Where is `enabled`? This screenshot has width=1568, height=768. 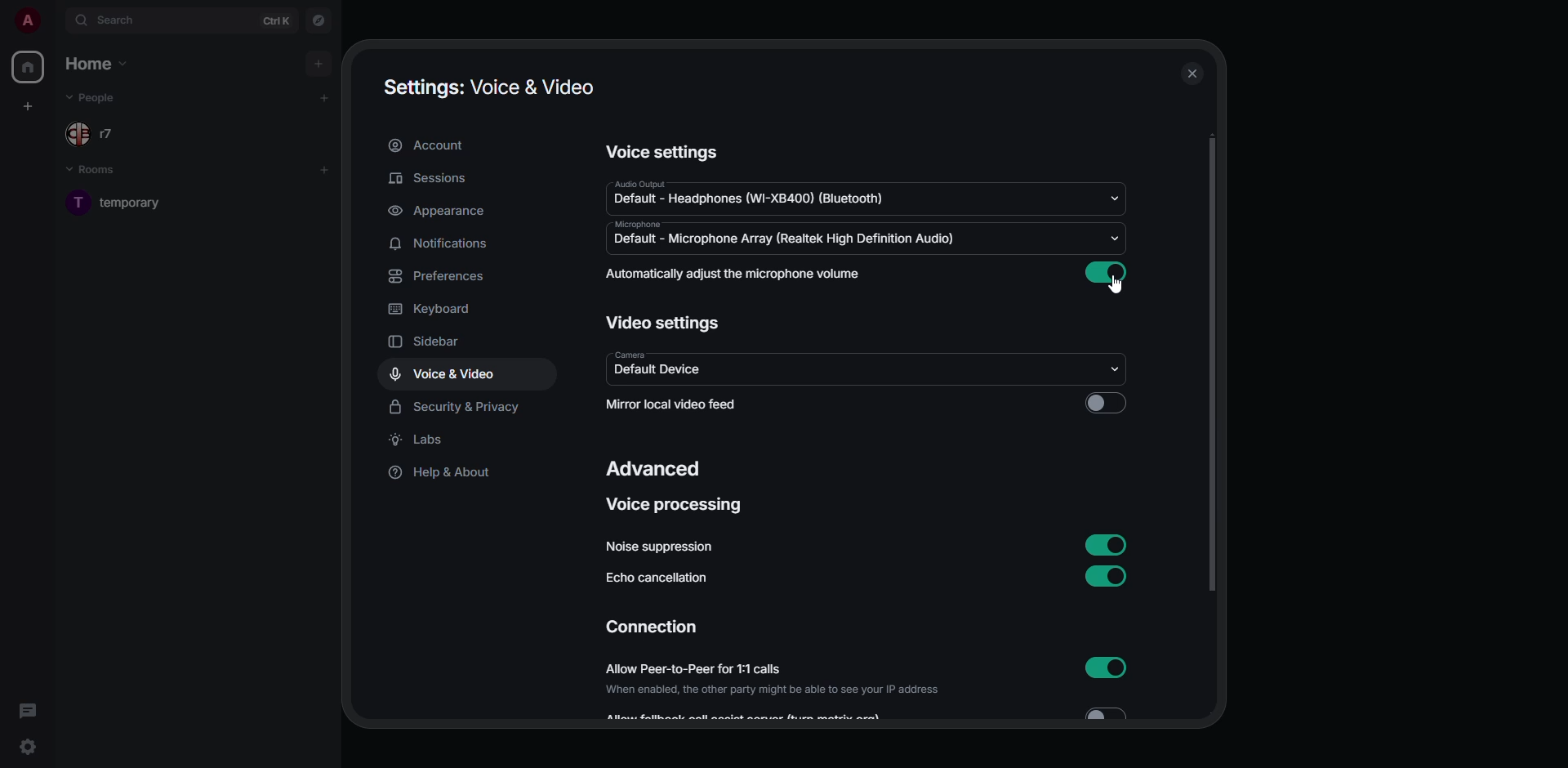 enabled is located at coordinates (1105, 575).